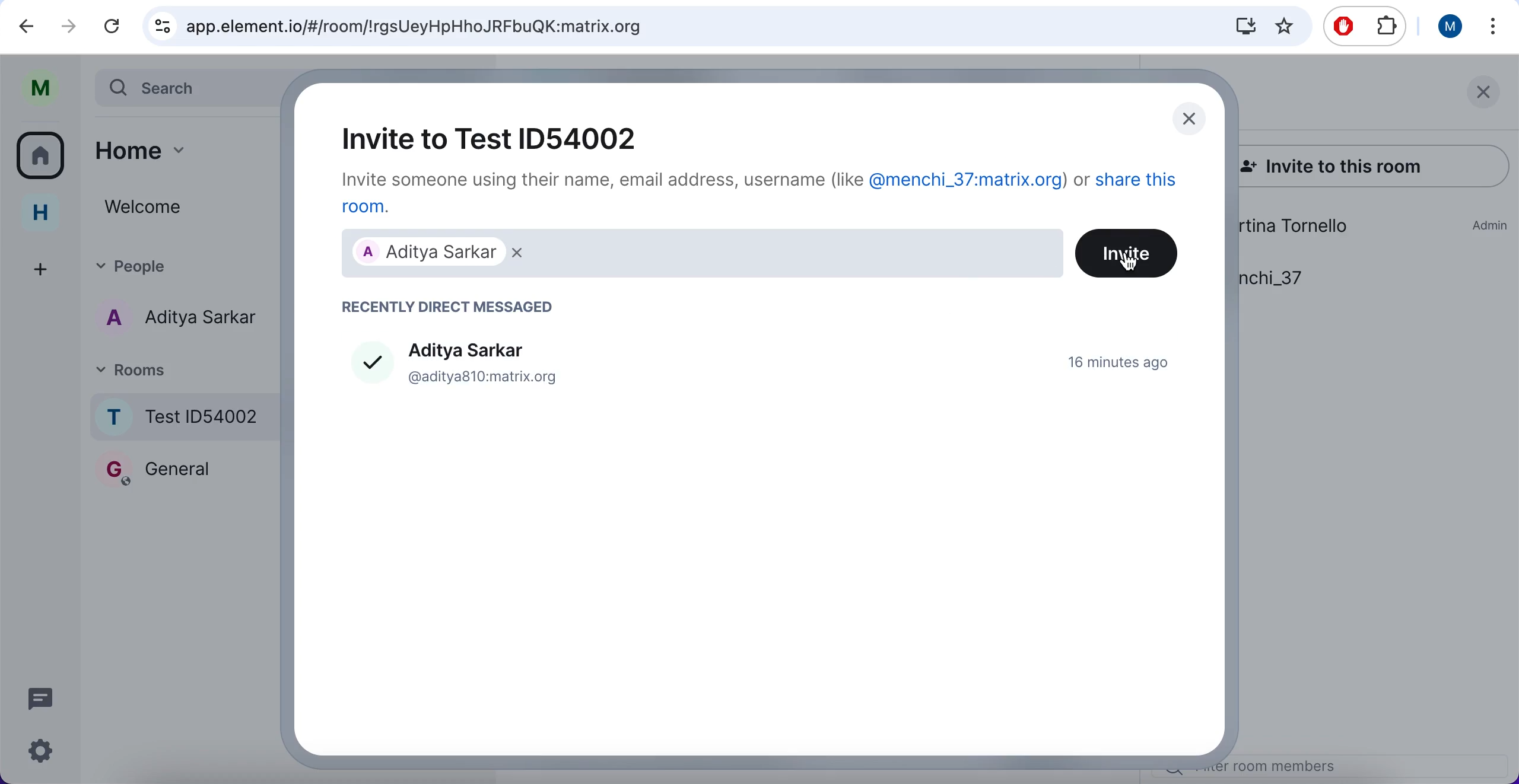 The height and width of the screenshot is (784, 1519). What do you see at coordinates (1131, 254) in the screenshot?
I see `invite` at bounding box center [1131, 254].